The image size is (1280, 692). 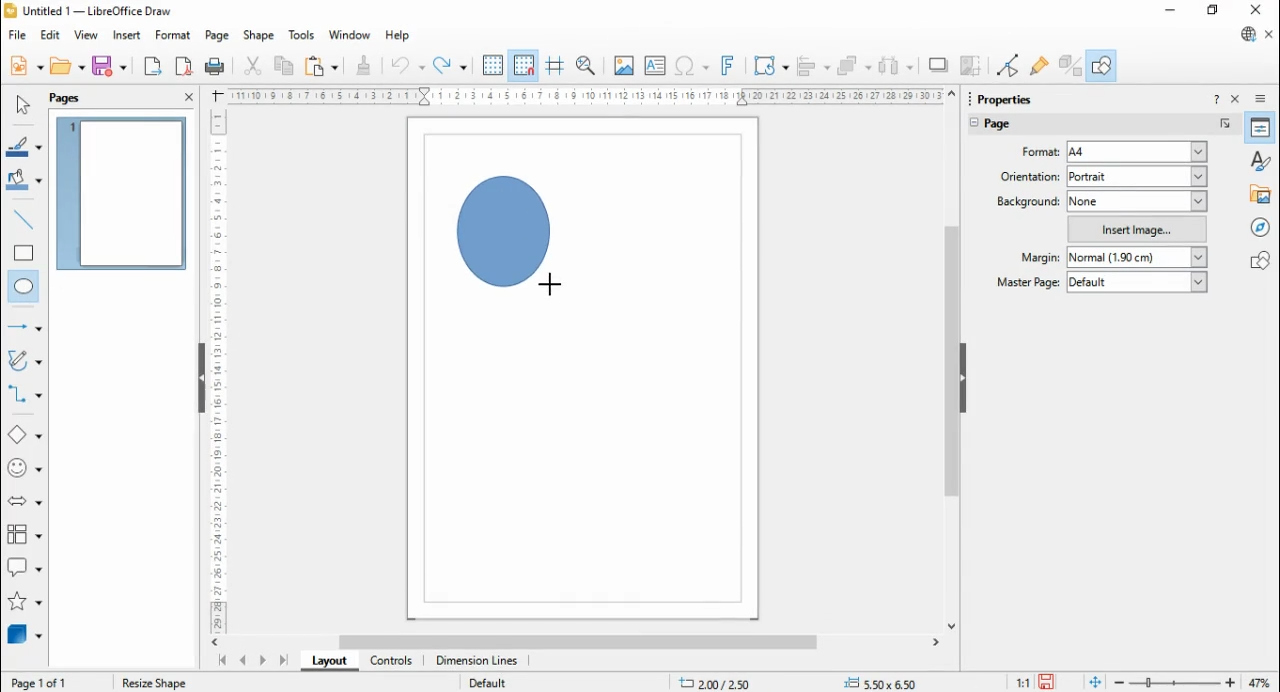 What do you see at coordinates (896, 67) in the screenshot?
I see `select at least three objects to distribute` at bounding box center [896, 67].